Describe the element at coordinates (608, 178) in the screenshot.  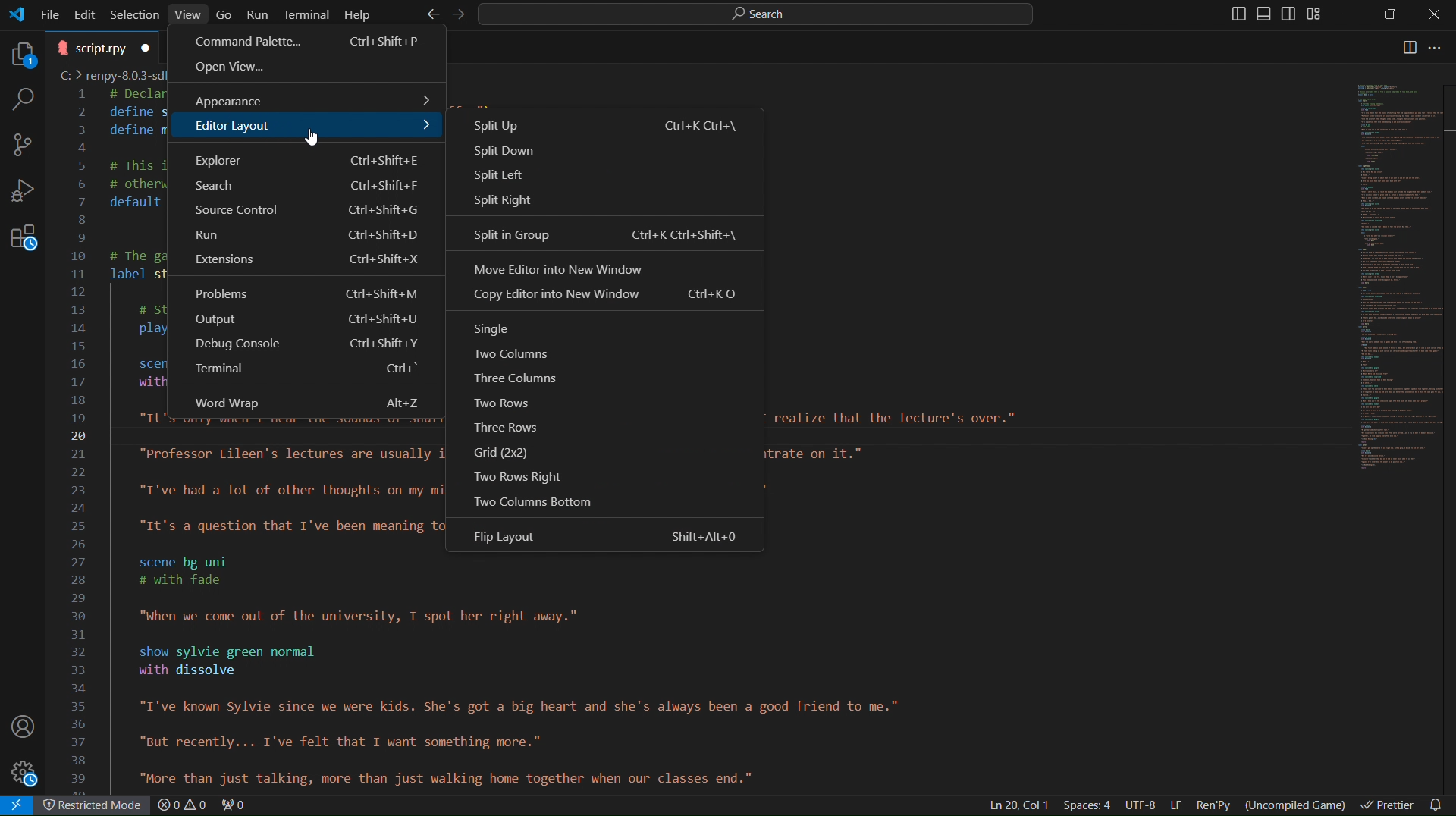
I see `Split Left` at that location.